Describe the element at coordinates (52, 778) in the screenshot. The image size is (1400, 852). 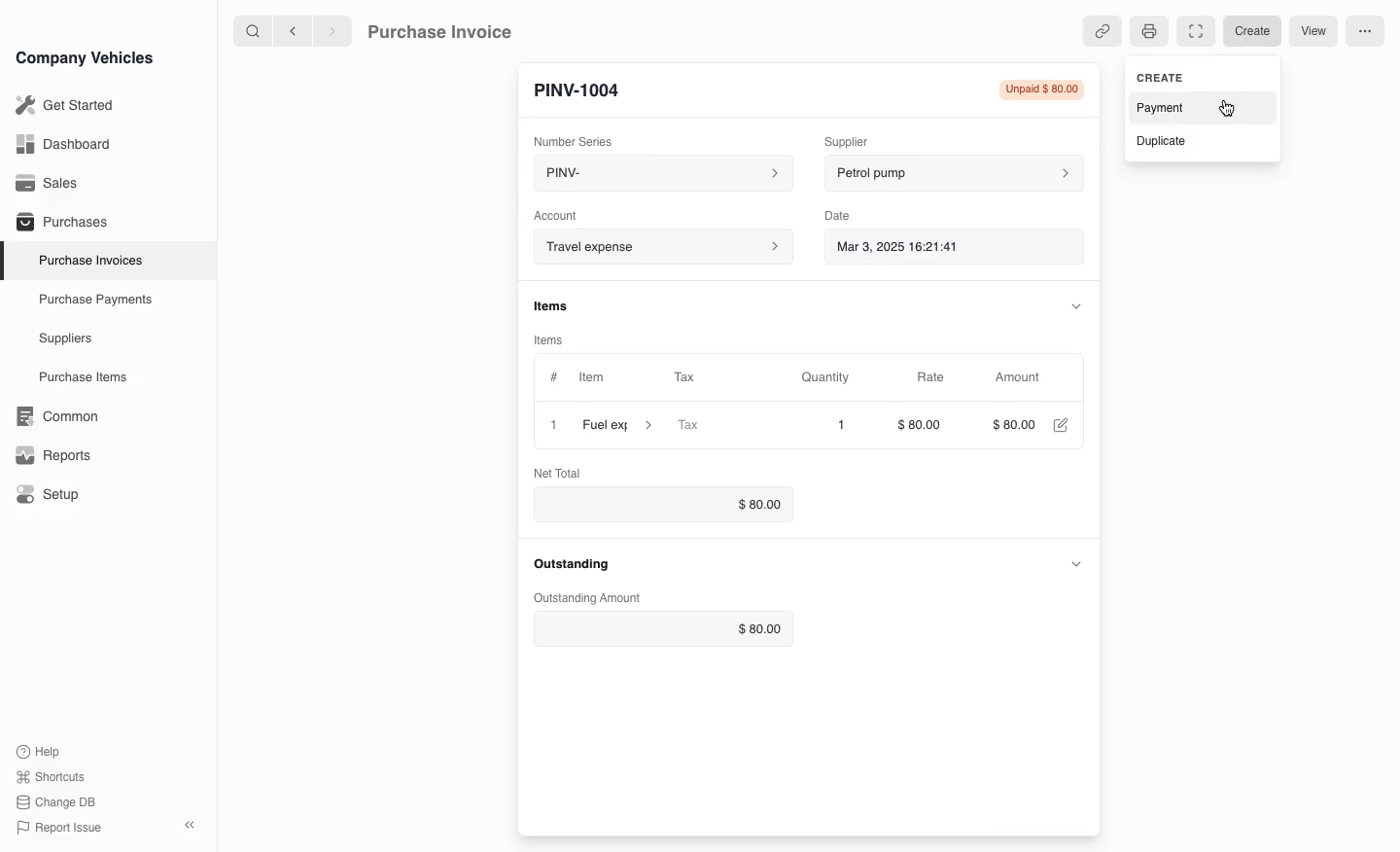
I see `Shortcuts` at that location.